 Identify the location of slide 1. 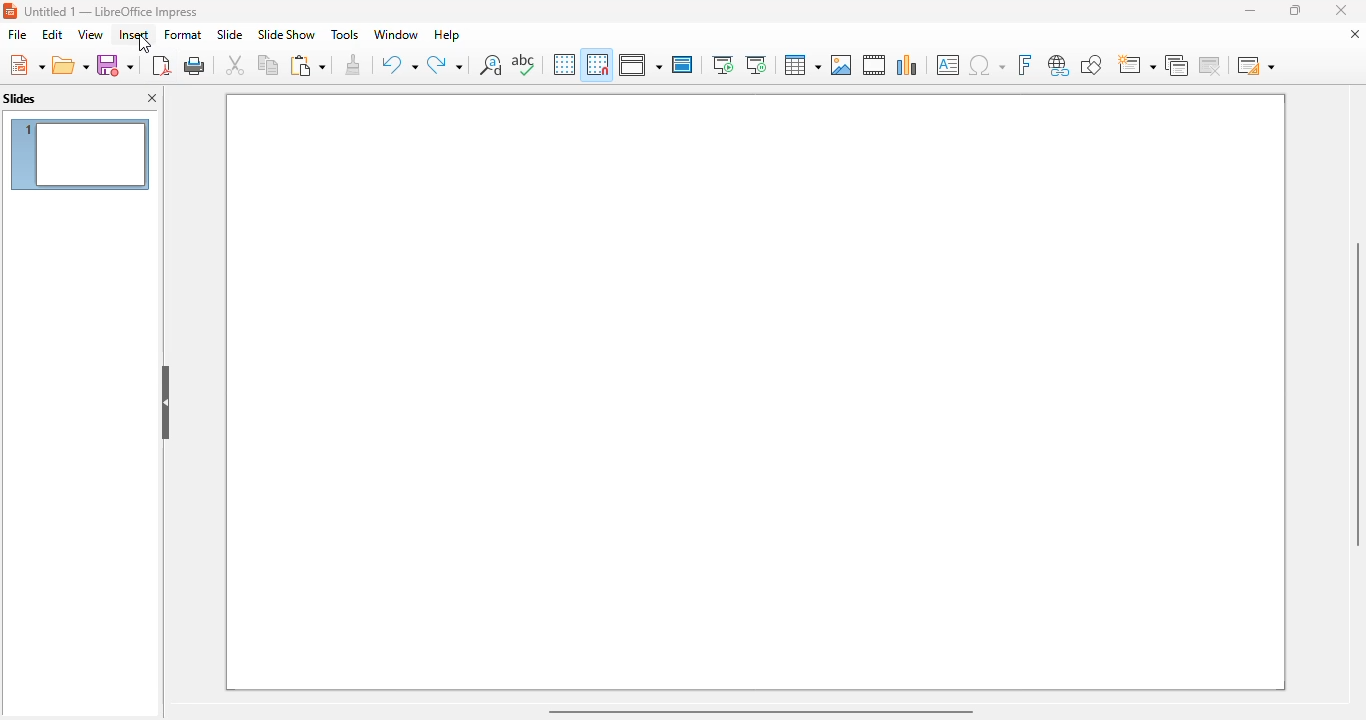
(756, 392).